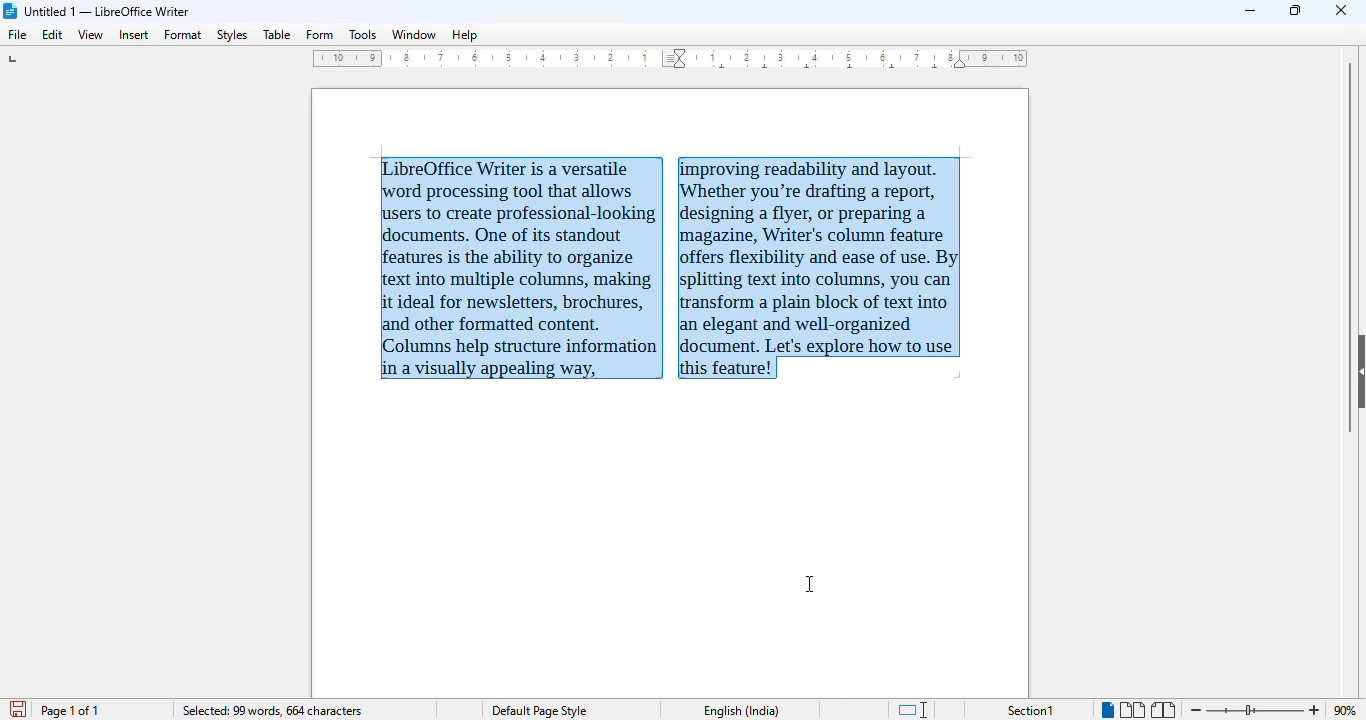 The height and width of the screenshot is (720, 1366). Describe the element at coordinates (1165, 710) in the screenshot. I see `book view` at that location.